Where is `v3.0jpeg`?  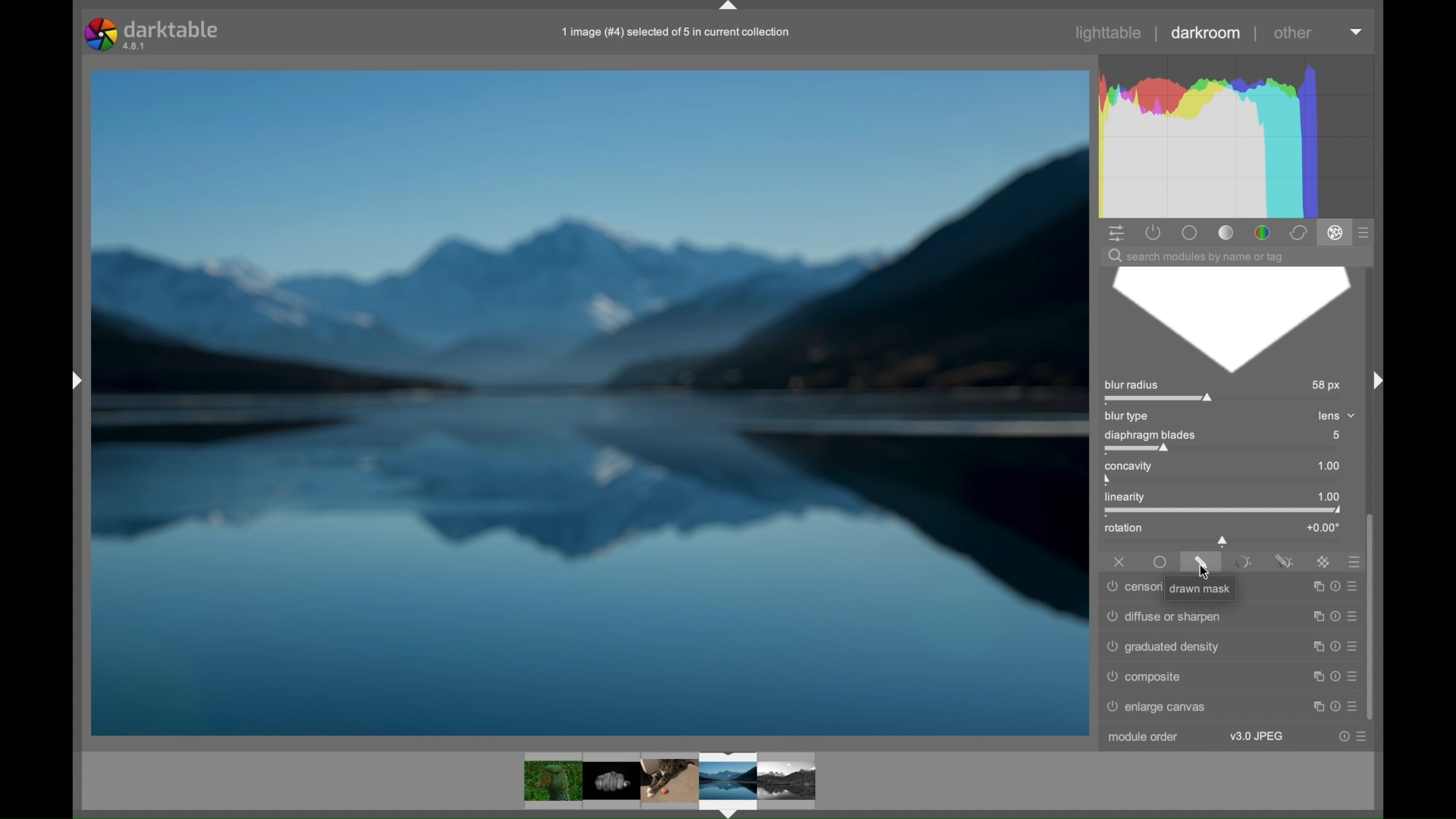 v3.0jpeg is located at coordinates (1256, 736).